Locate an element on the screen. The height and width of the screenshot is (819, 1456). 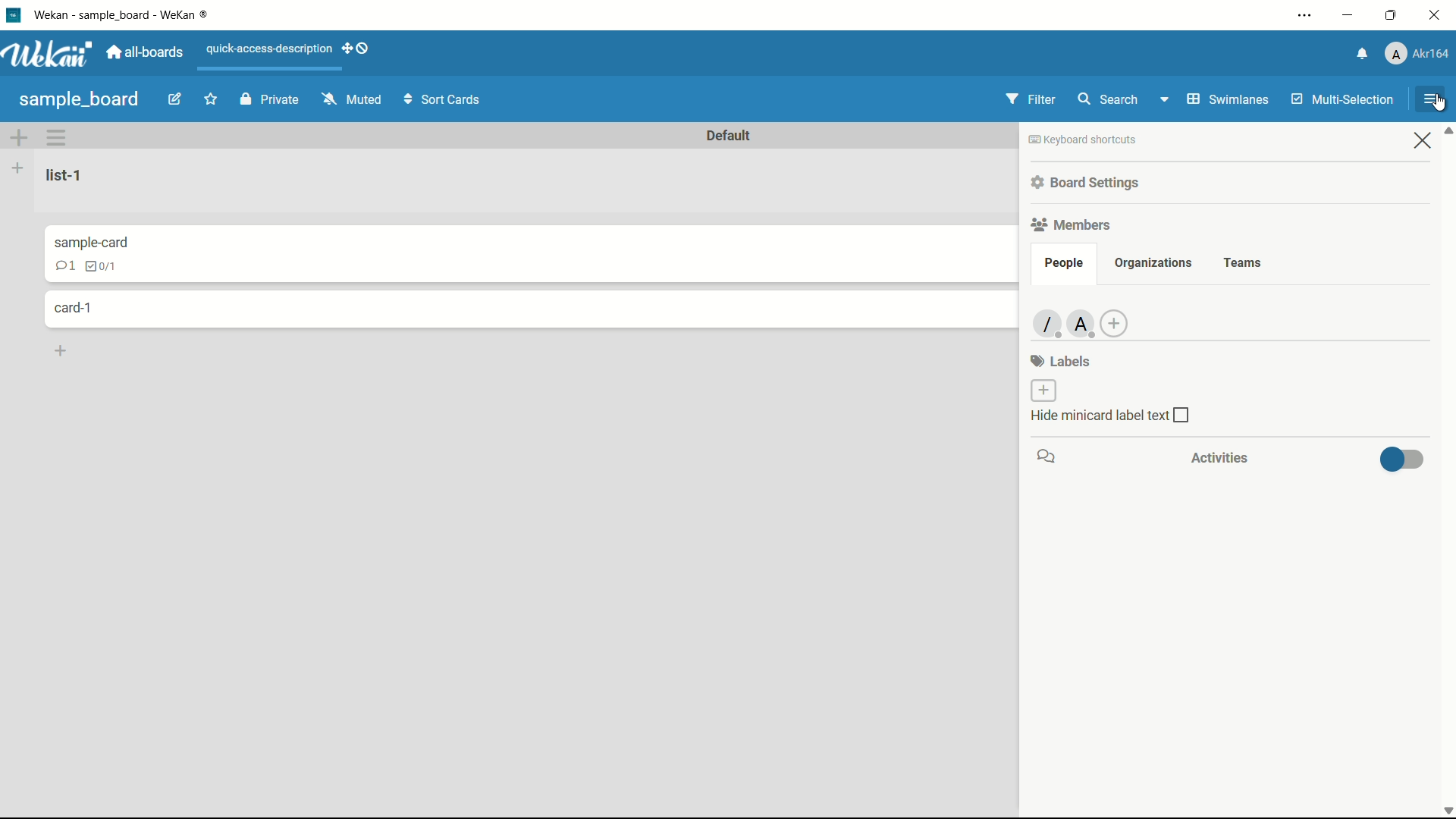
quick-access-description is located at coordinates (269, 50).